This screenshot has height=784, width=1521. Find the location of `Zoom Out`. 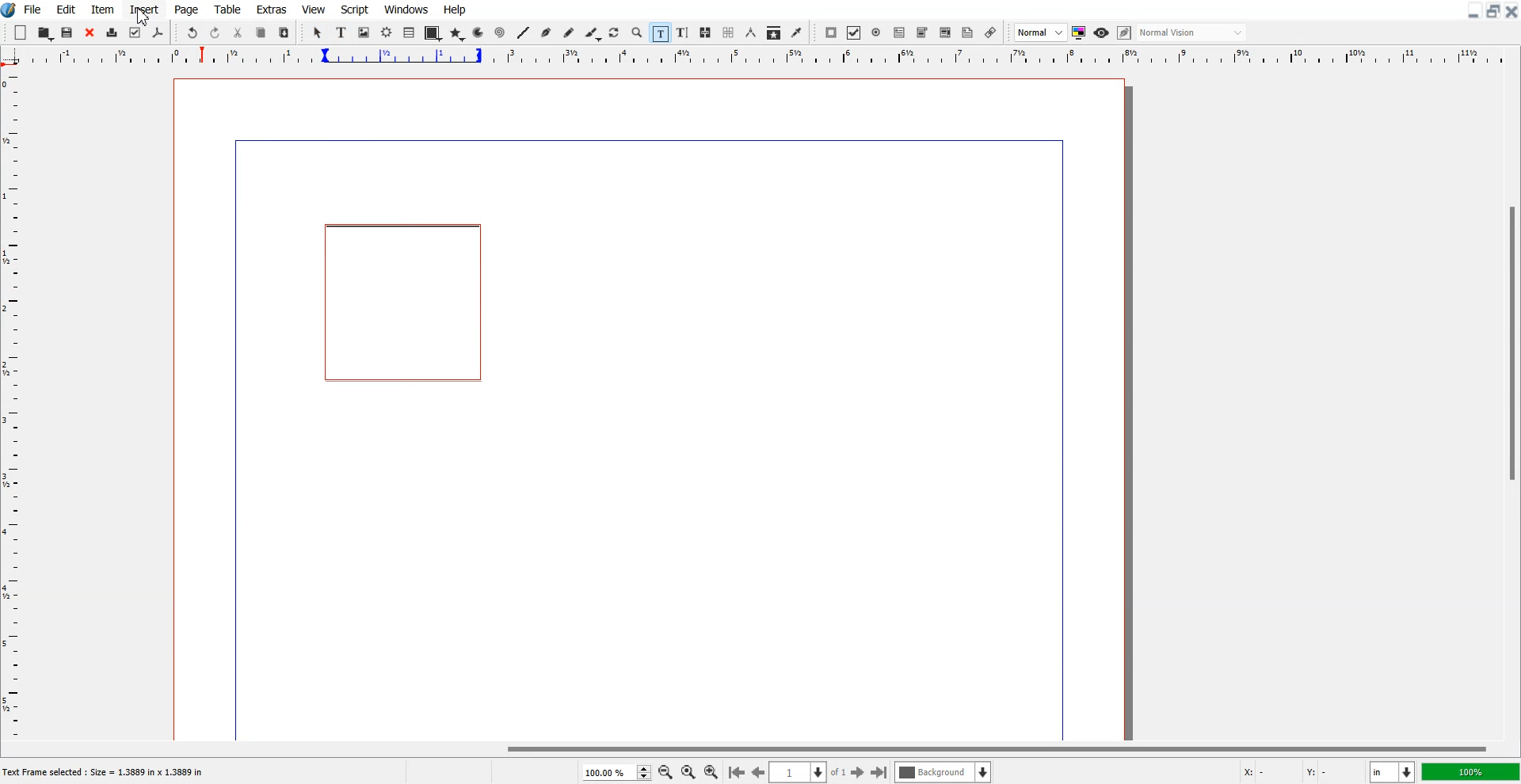

Zoom Out is located at coordinates (666, 773).